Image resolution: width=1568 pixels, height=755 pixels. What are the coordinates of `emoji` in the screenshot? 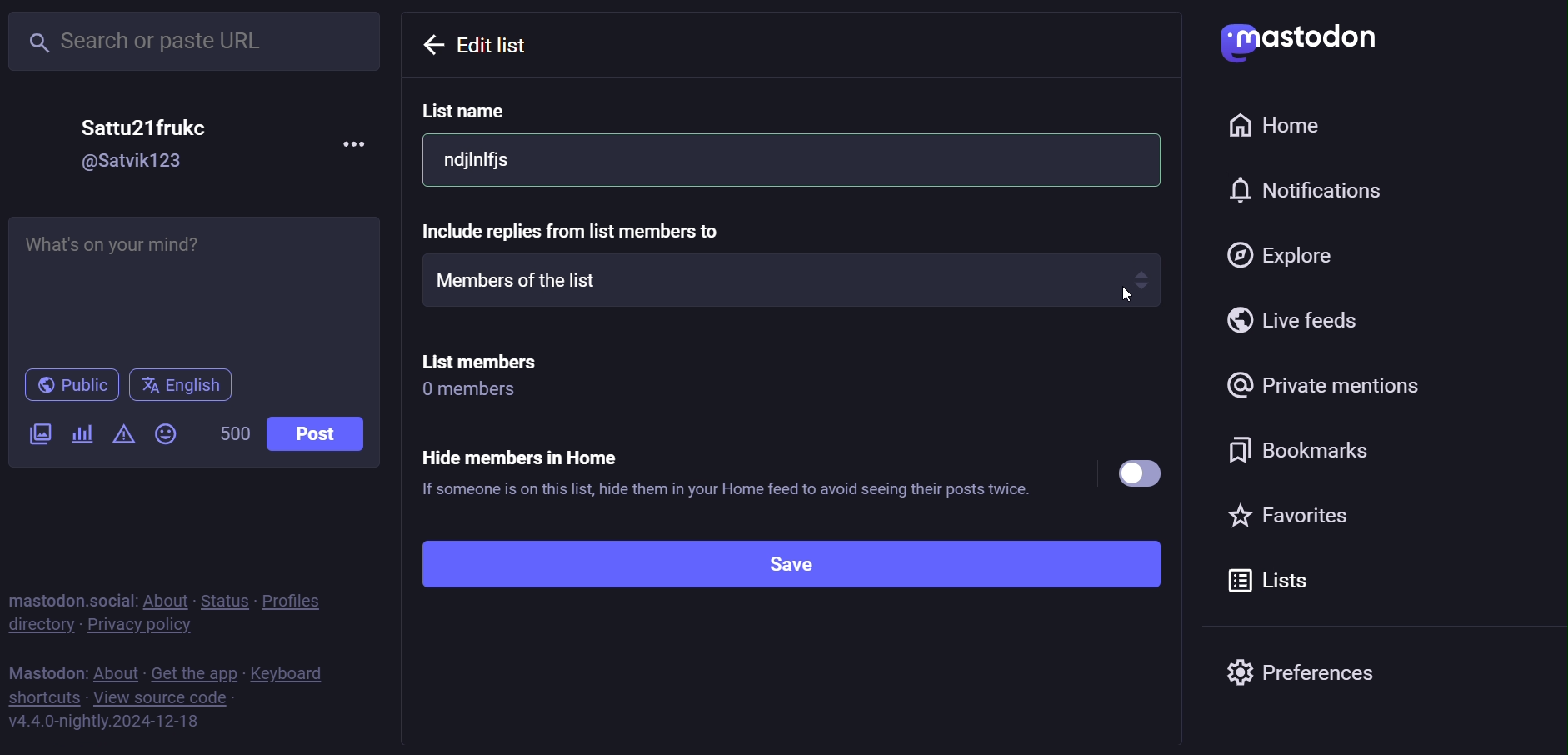 It's located at (165, 433).